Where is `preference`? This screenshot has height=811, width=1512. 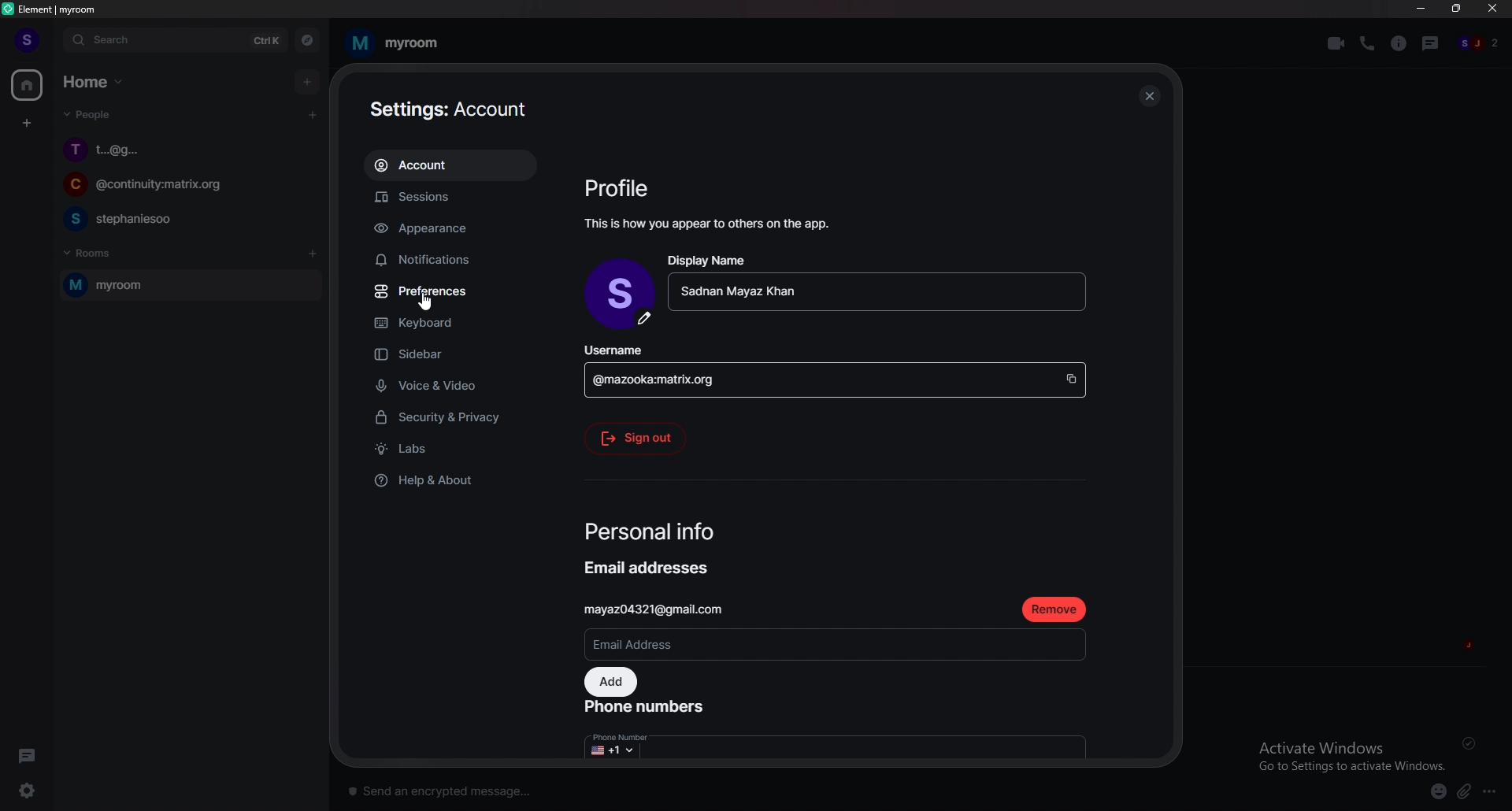 preference is located at coordinates (450, 292).